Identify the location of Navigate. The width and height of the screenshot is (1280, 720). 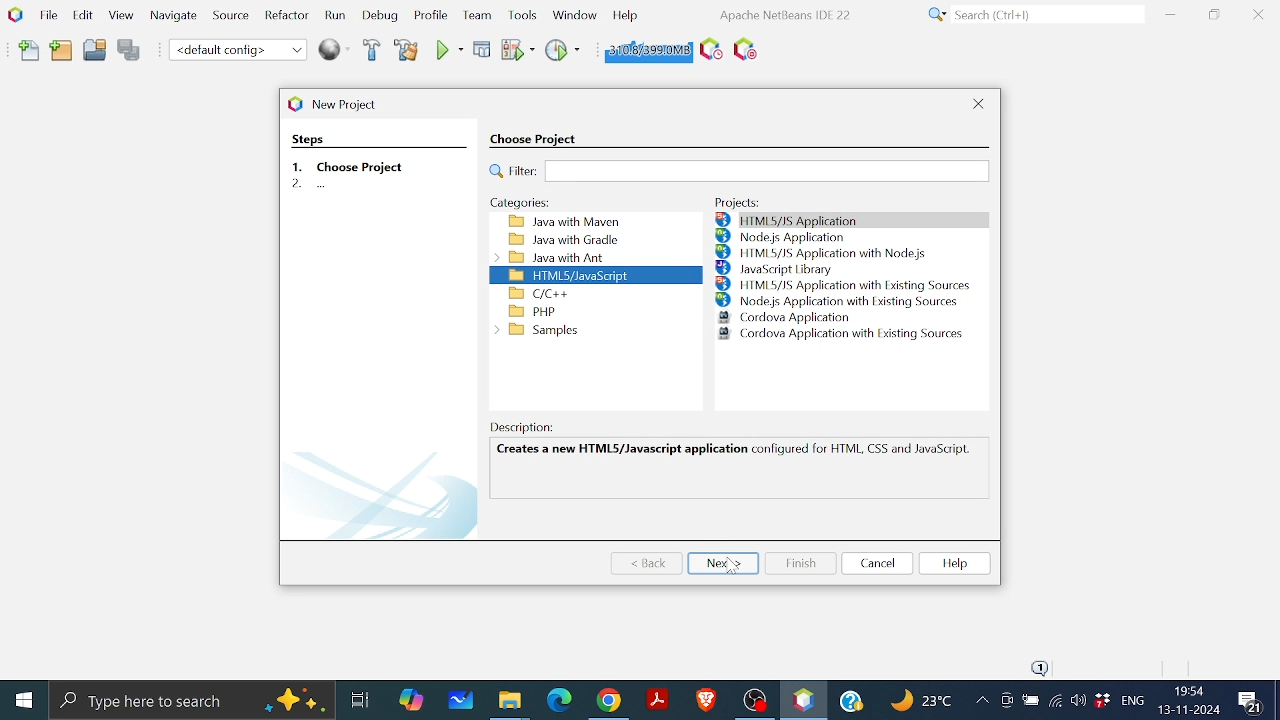
(174, 19).